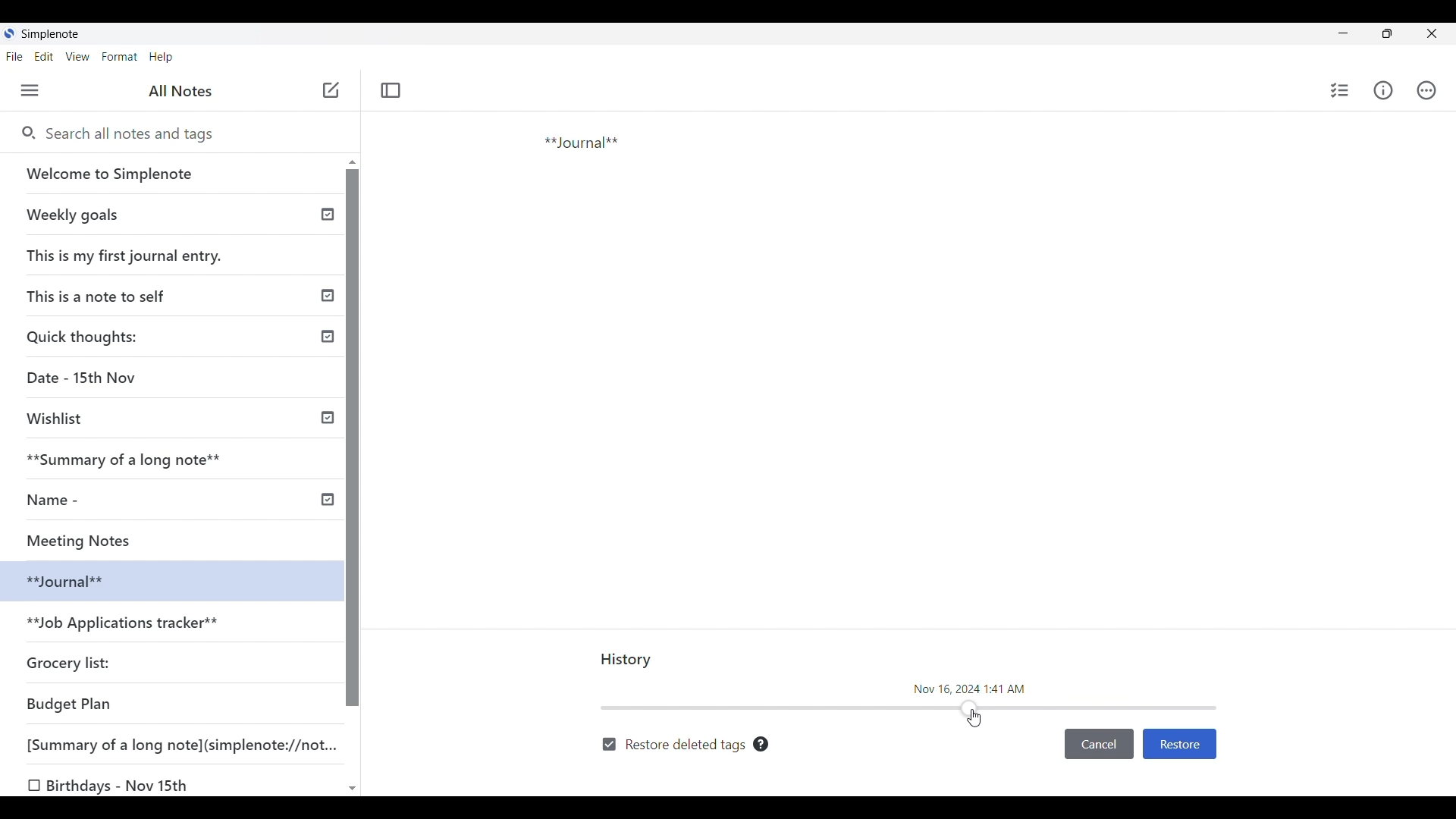  Describe the element at coordinates (111, 786) in the screenshot. I see `O Birthdays - Nov 15th` at that location.